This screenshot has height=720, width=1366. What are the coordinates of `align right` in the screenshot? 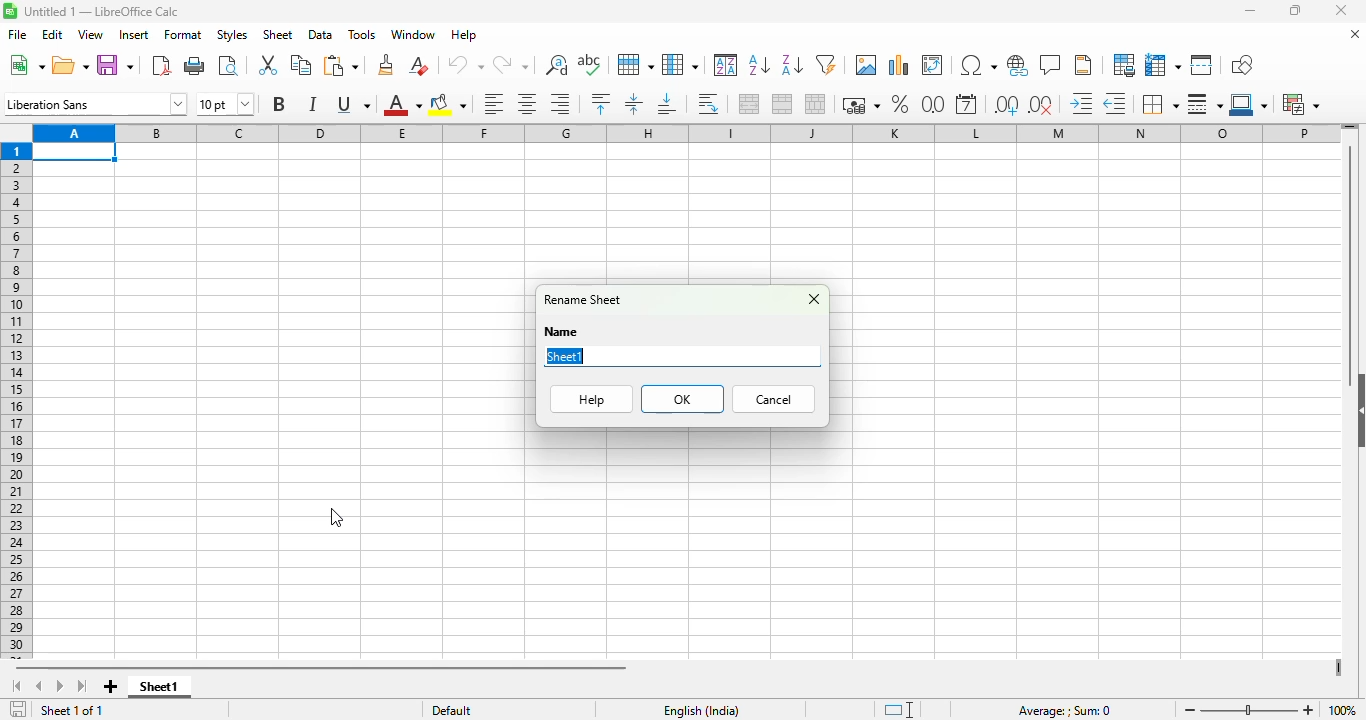 It's located at (560, 104).